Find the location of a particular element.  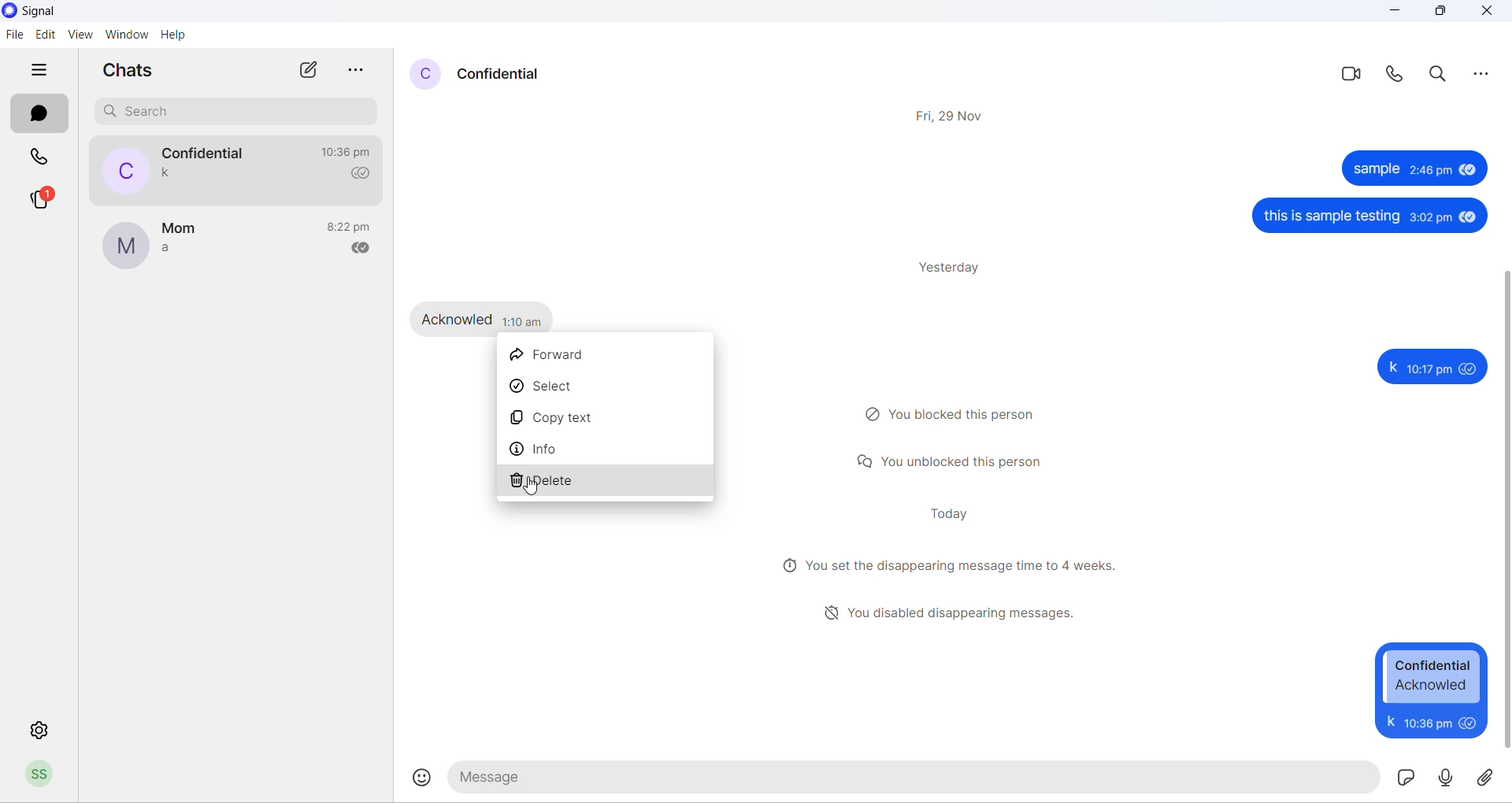

select is located at coordinates (606, 383).